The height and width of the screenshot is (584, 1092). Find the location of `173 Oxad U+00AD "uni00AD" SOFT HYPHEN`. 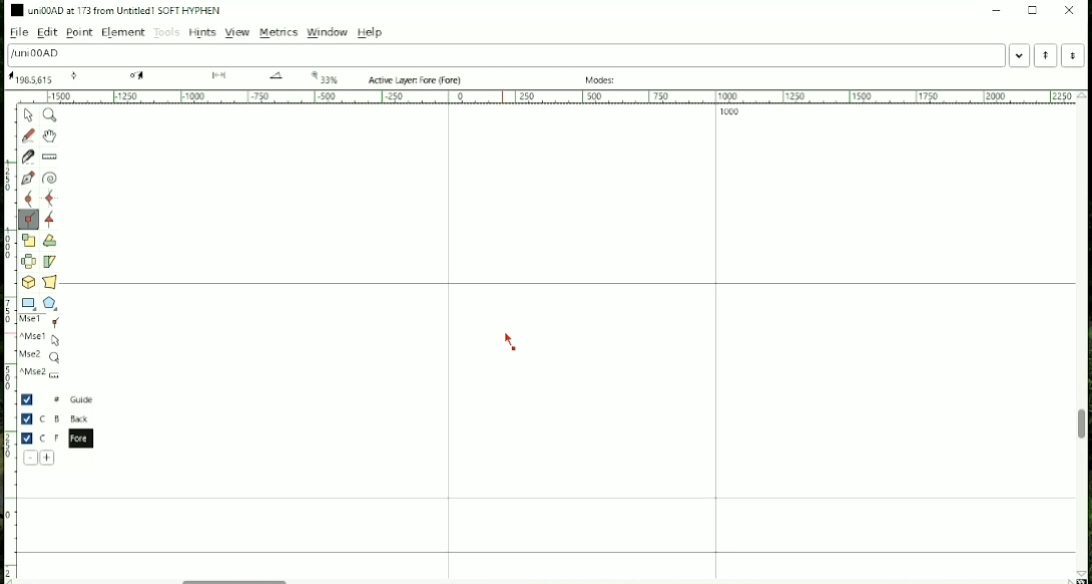

173 Oxad U+00AD "uni00AD" SOFT HYPHEN is located at coordinates (1079, 576).